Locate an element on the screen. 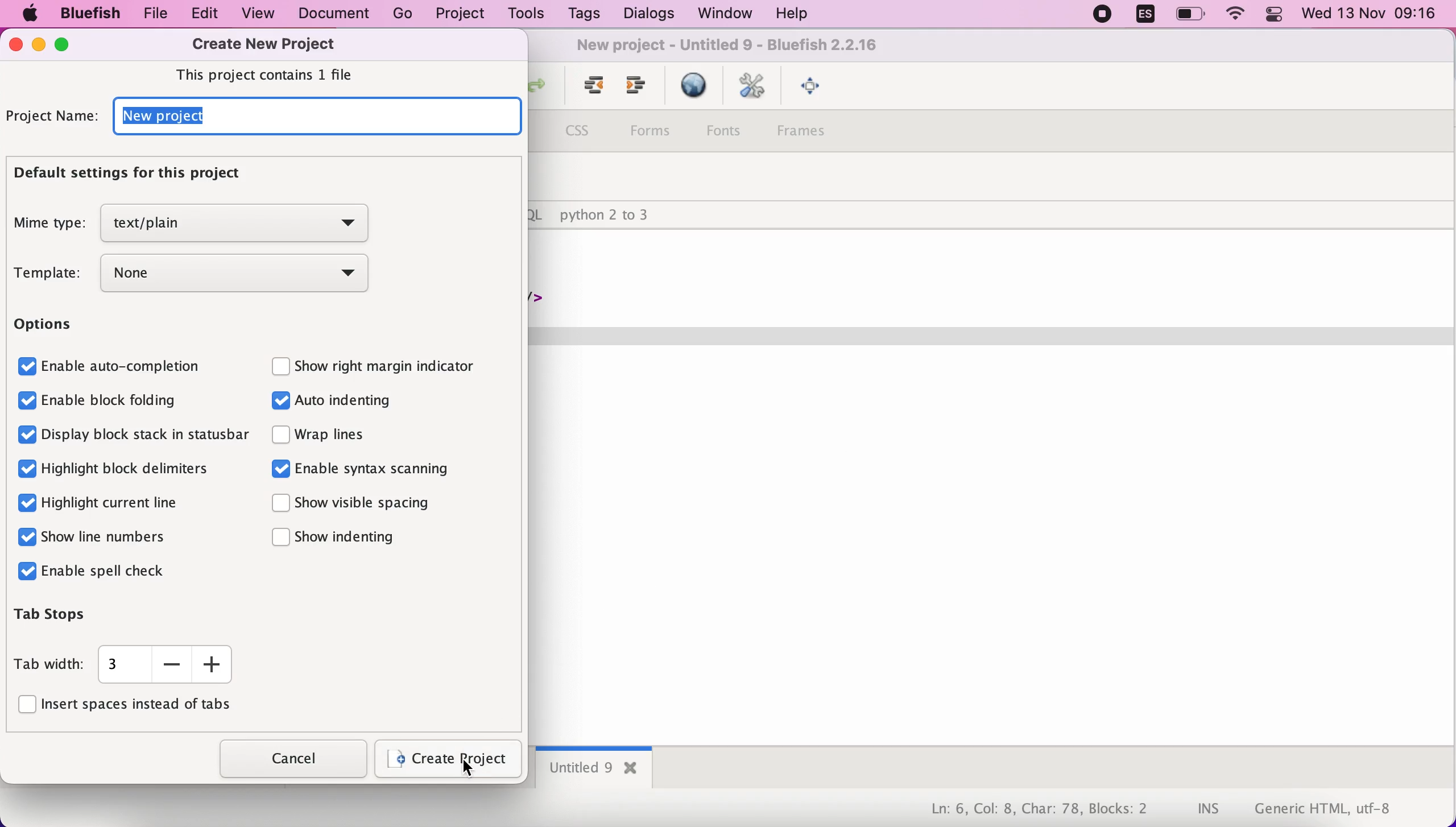 The height and width of the screenshot is (827, 1456). maximize is located at coordinates (68, 44).